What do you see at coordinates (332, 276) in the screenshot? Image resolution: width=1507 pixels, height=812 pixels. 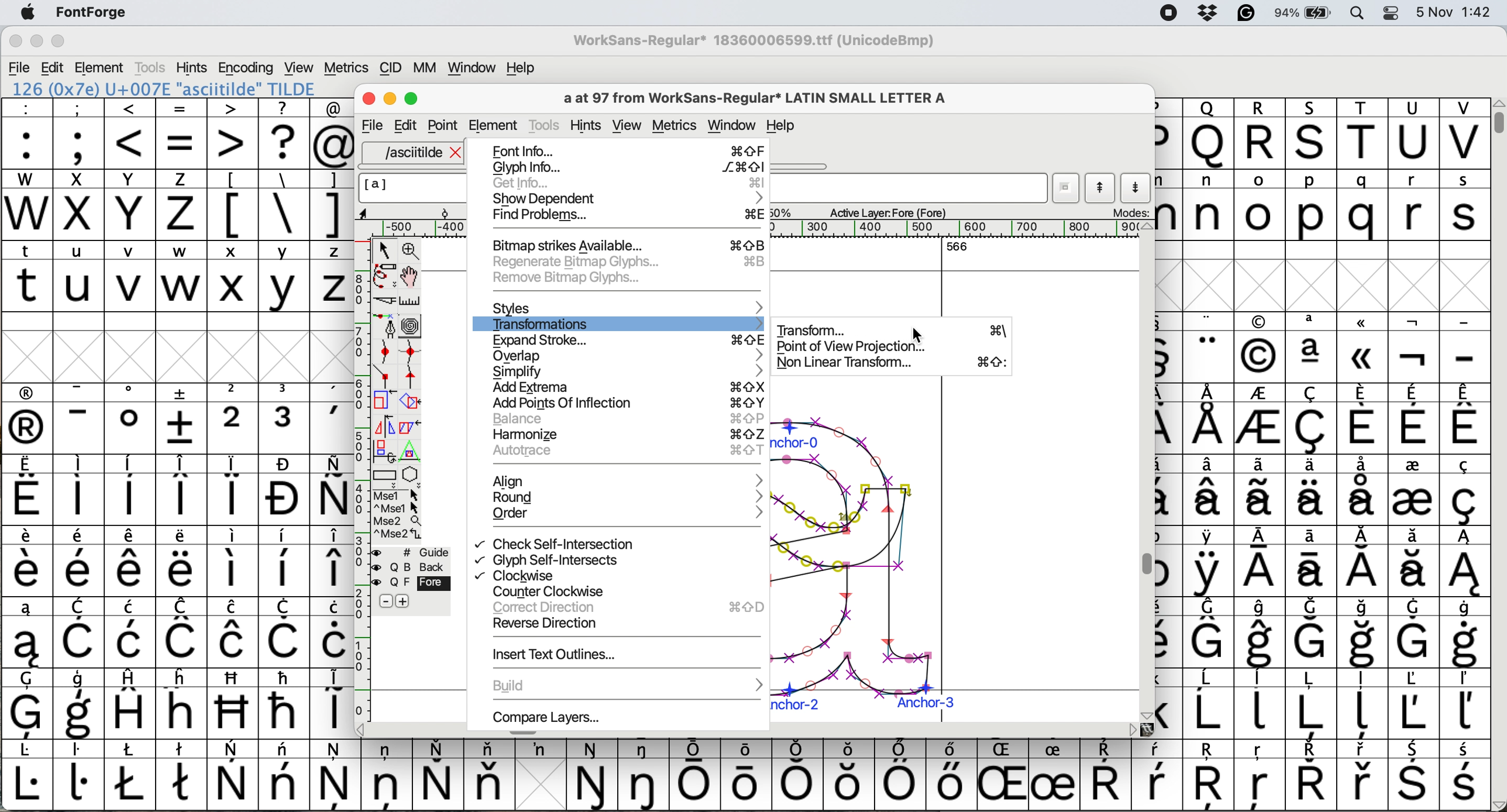 I see `z` at bounding box center [332, 276].